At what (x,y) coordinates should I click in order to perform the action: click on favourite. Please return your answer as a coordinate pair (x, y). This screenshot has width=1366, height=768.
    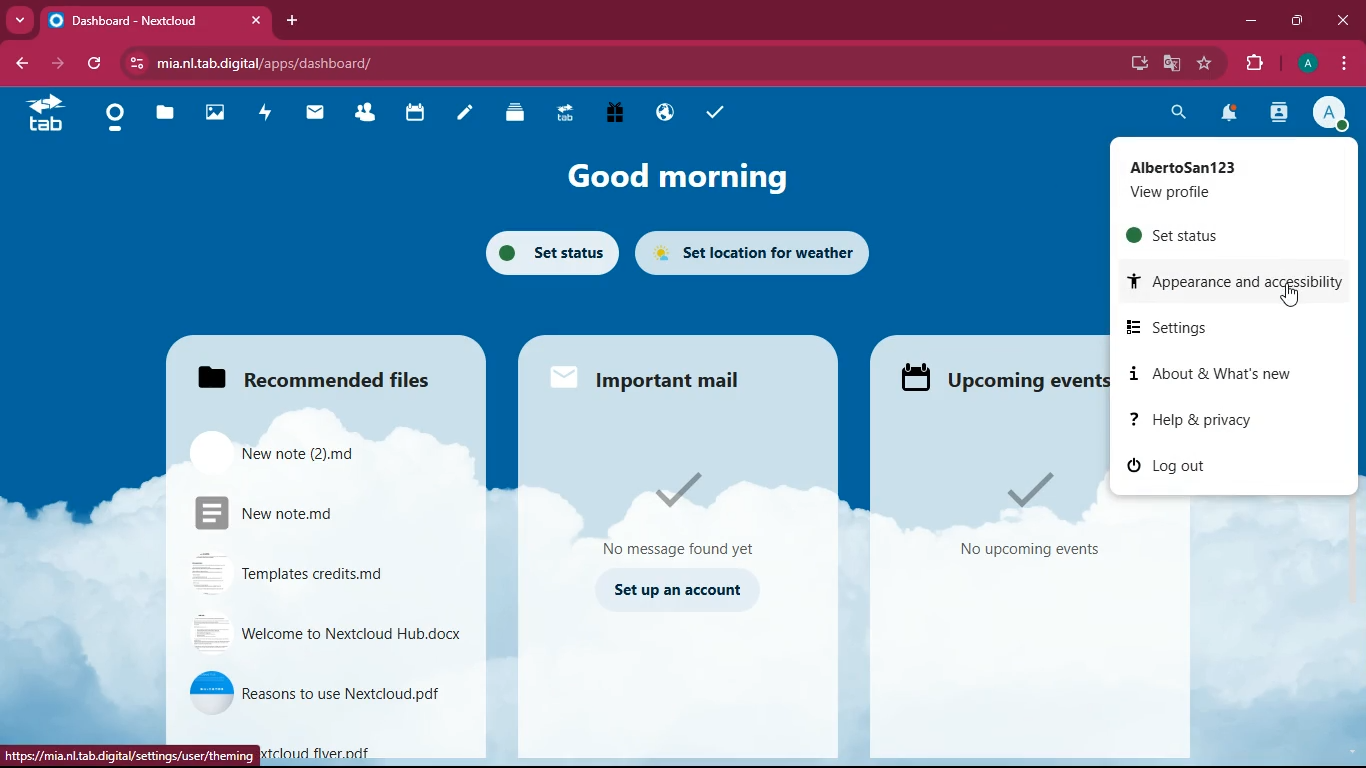
    Looking at the image, I should click on (1207, 61).